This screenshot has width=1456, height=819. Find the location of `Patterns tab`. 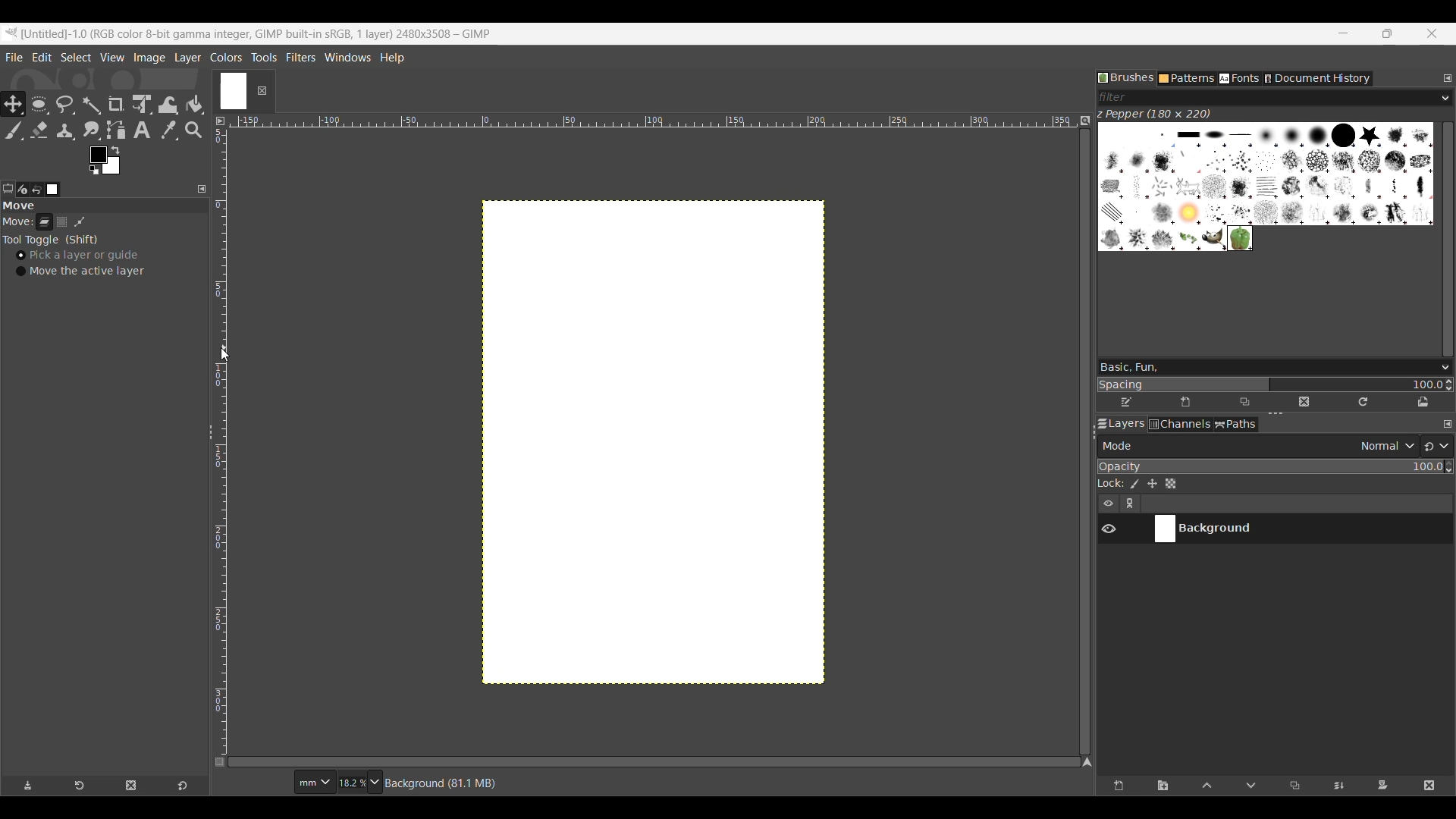

Patterns tab is located at coordinates (1187, 79).